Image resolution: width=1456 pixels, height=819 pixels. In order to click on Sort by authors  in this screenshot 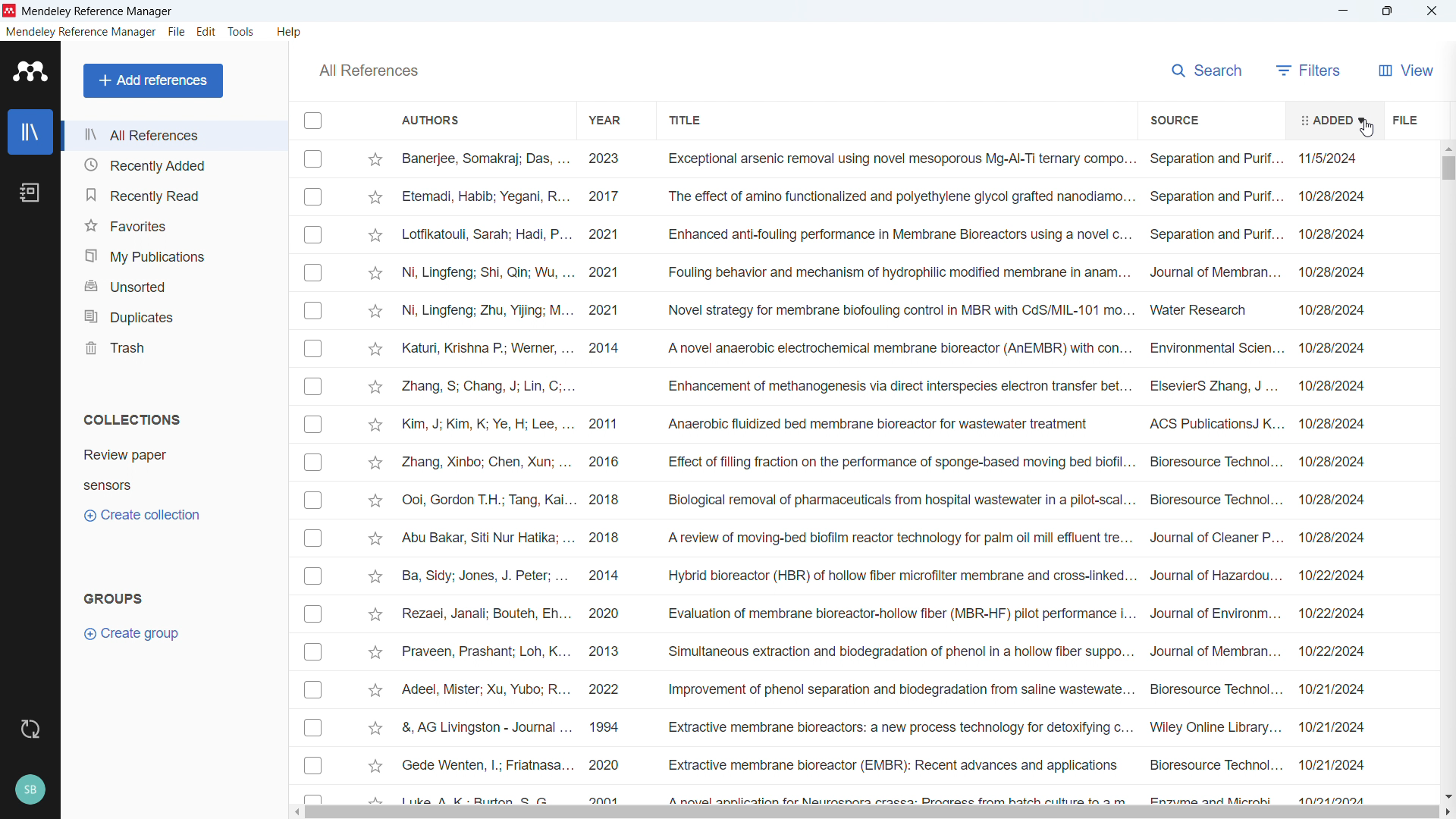, I will do `click(435, 118)`.